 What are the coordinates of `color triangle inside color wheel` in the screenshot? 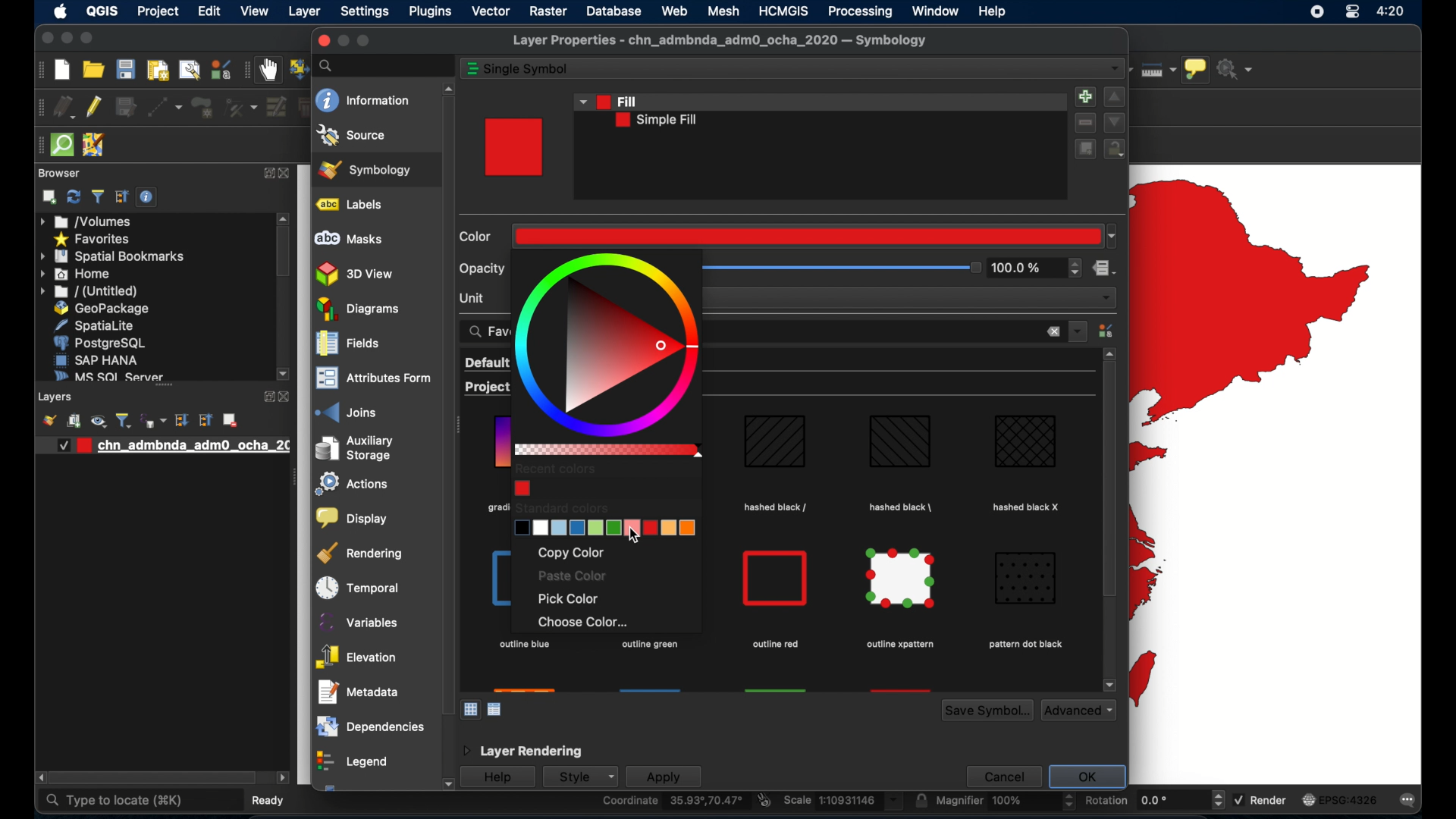 It's located at (609, 344).